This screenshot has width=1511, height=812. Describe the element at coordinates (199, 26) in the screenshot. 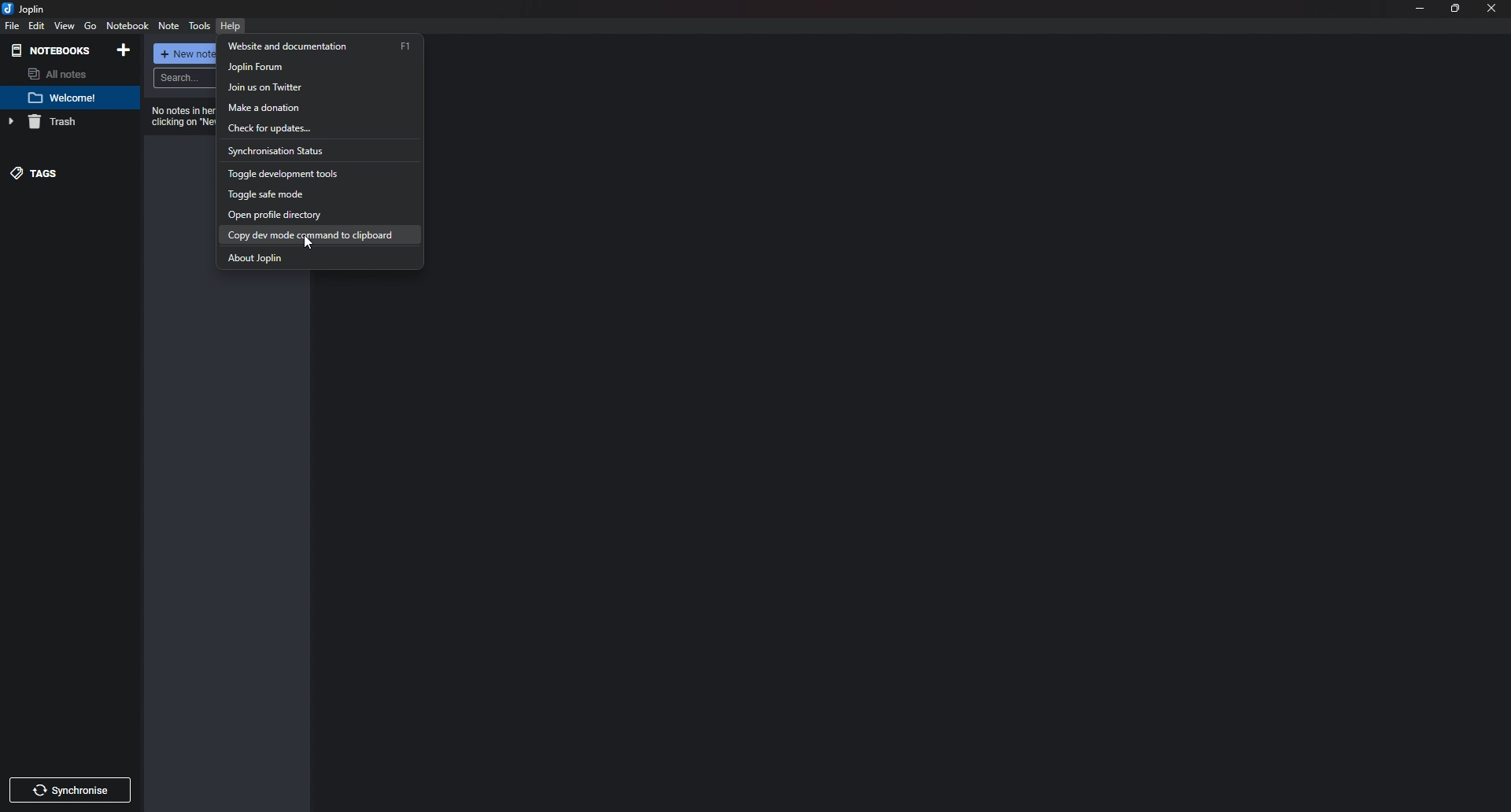

I see `tools` at that location.